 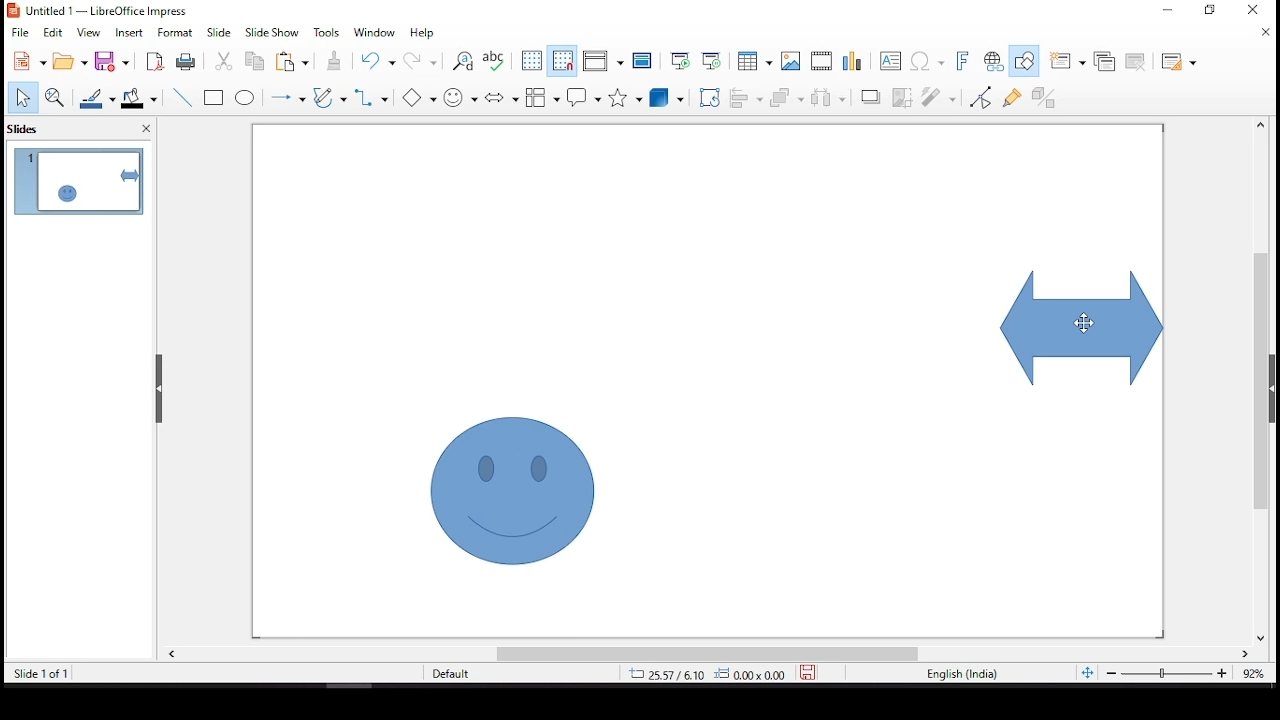 I want to click on clone formatting, so click(x=333, y=65).